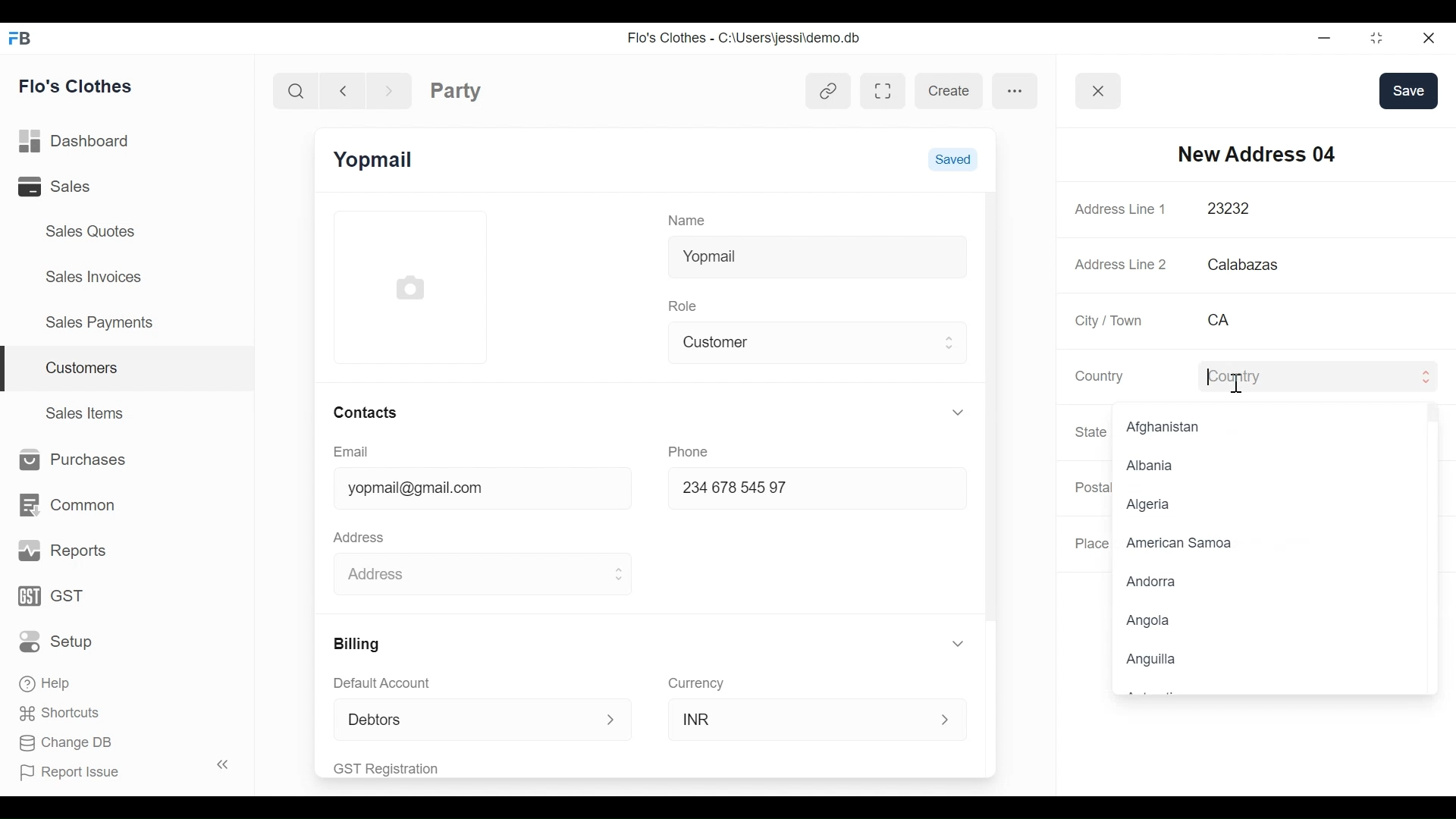  I want to click on Profile Picture, so click(414, 286).